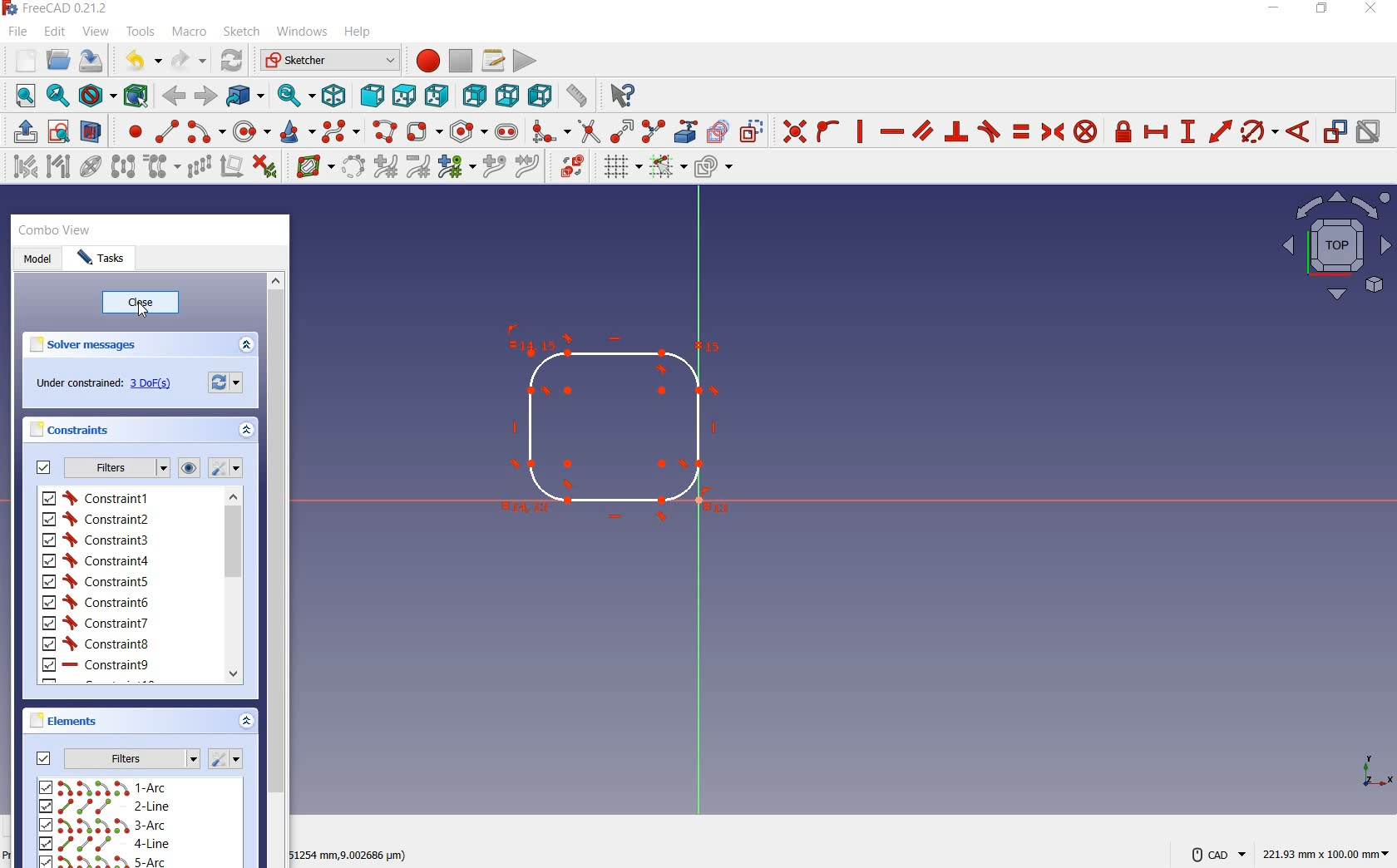 The image size is (1397, 868). I want to click on xyz points, so click(1378, 774).